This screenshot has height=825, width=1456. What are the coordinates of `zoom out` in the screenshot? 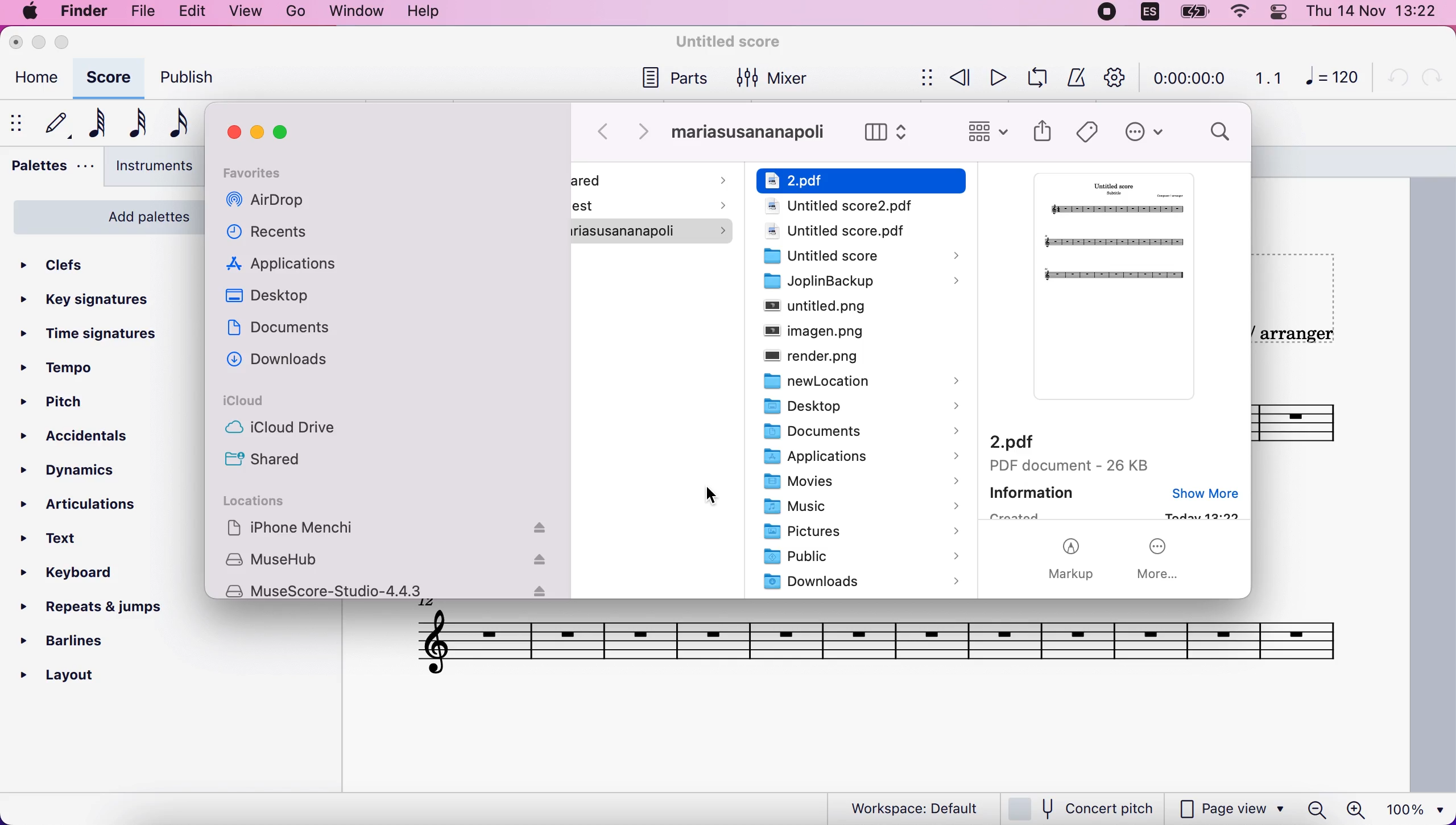 It's located at (1313, 809).